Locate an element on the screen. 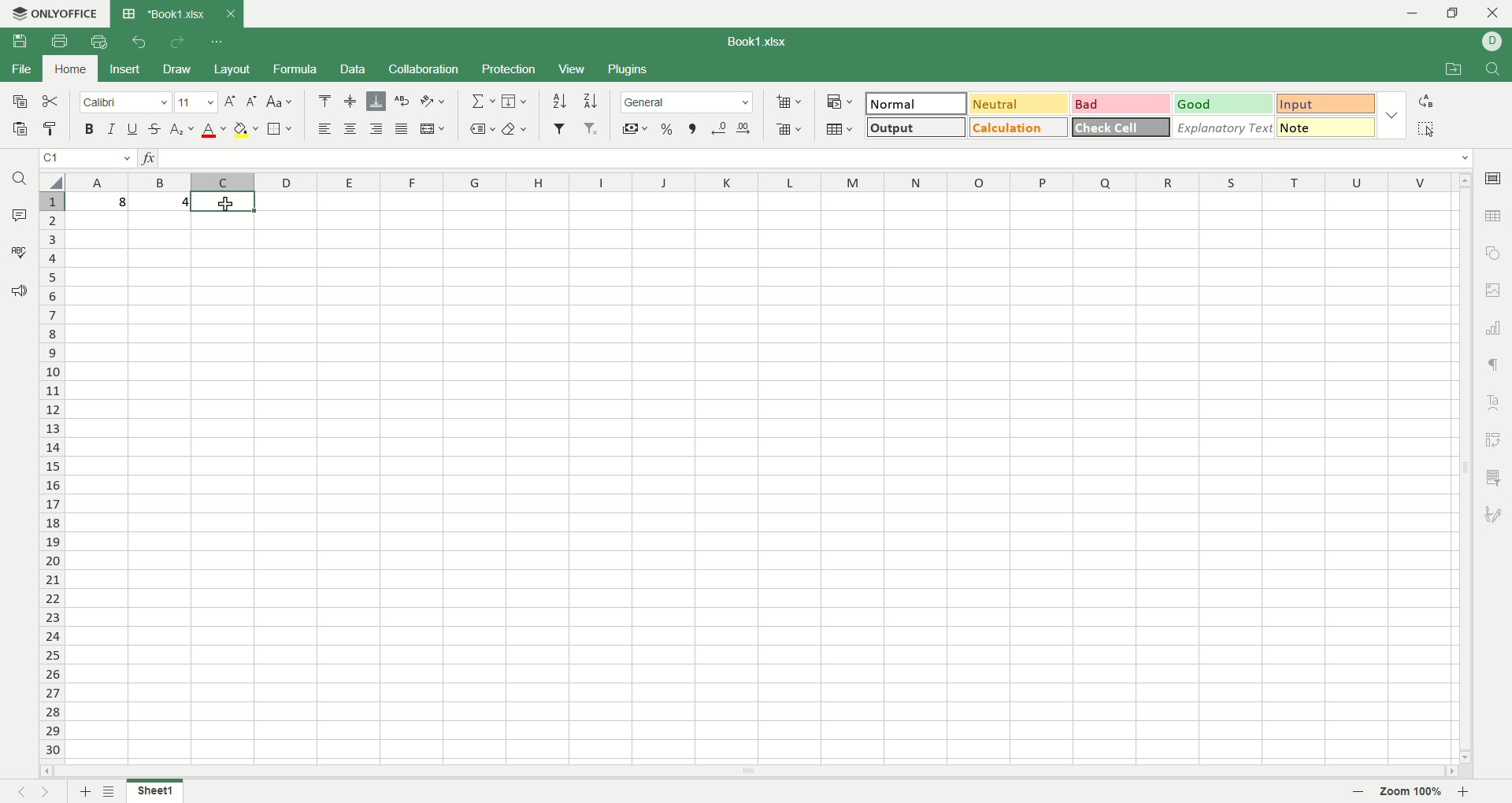 The width and height of the screenshot is (1512, 803). bad is located at coordinates (1120, 102).